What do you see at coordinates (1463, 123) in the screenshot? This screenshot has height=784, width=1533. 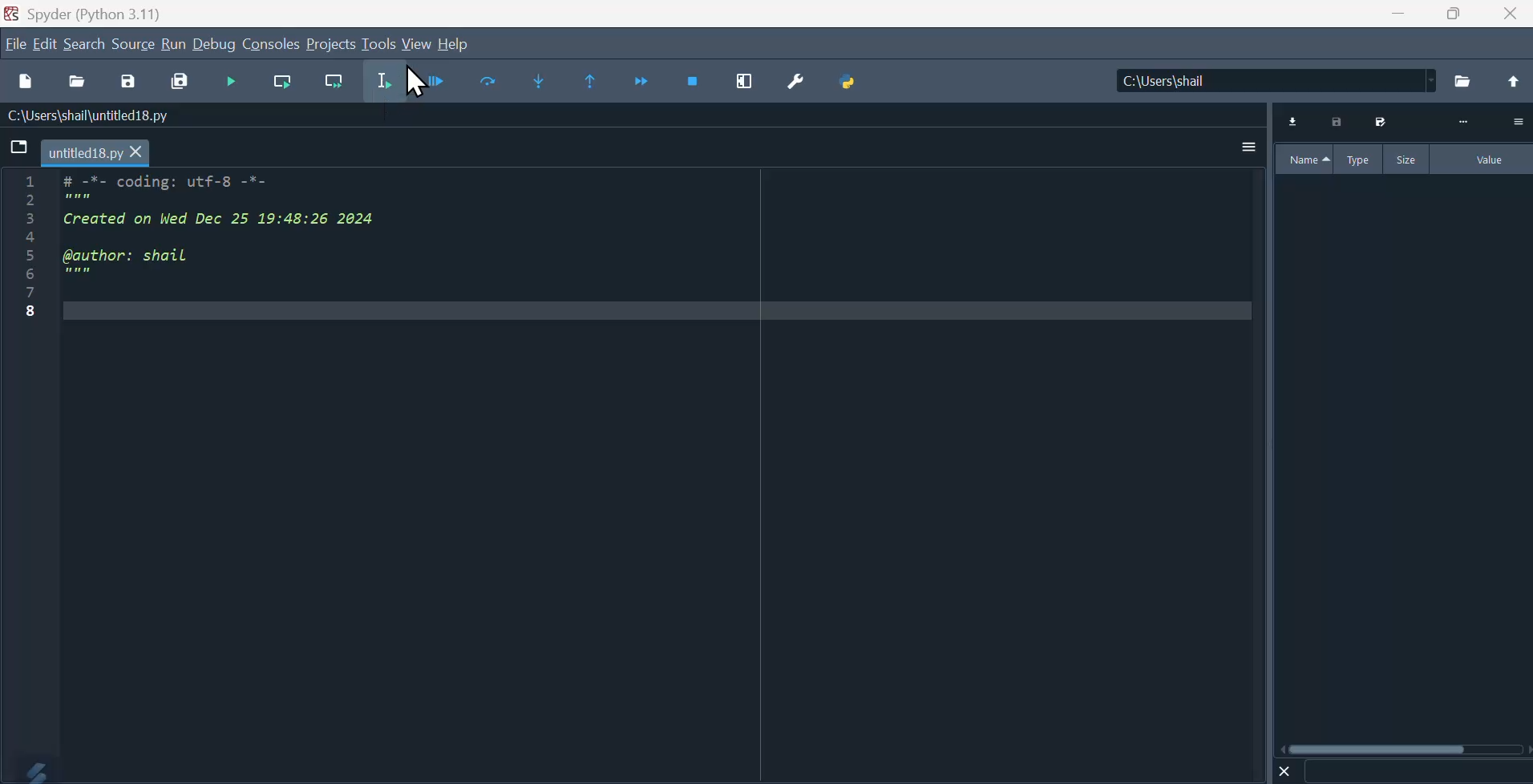 I see `More` at bounding box center [1463, 123].